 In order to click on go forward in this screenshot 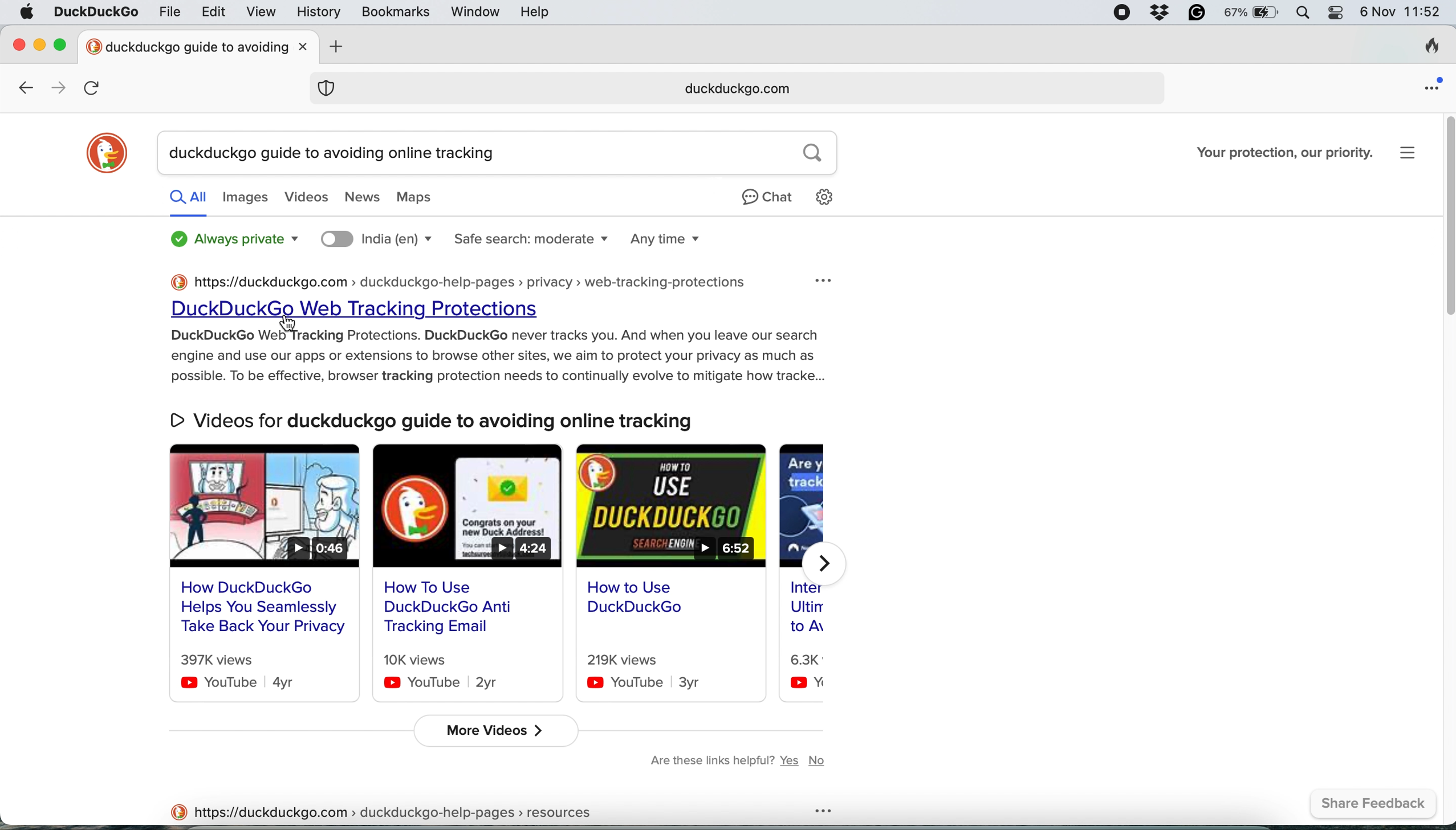, I will do `click(59, 86)`.